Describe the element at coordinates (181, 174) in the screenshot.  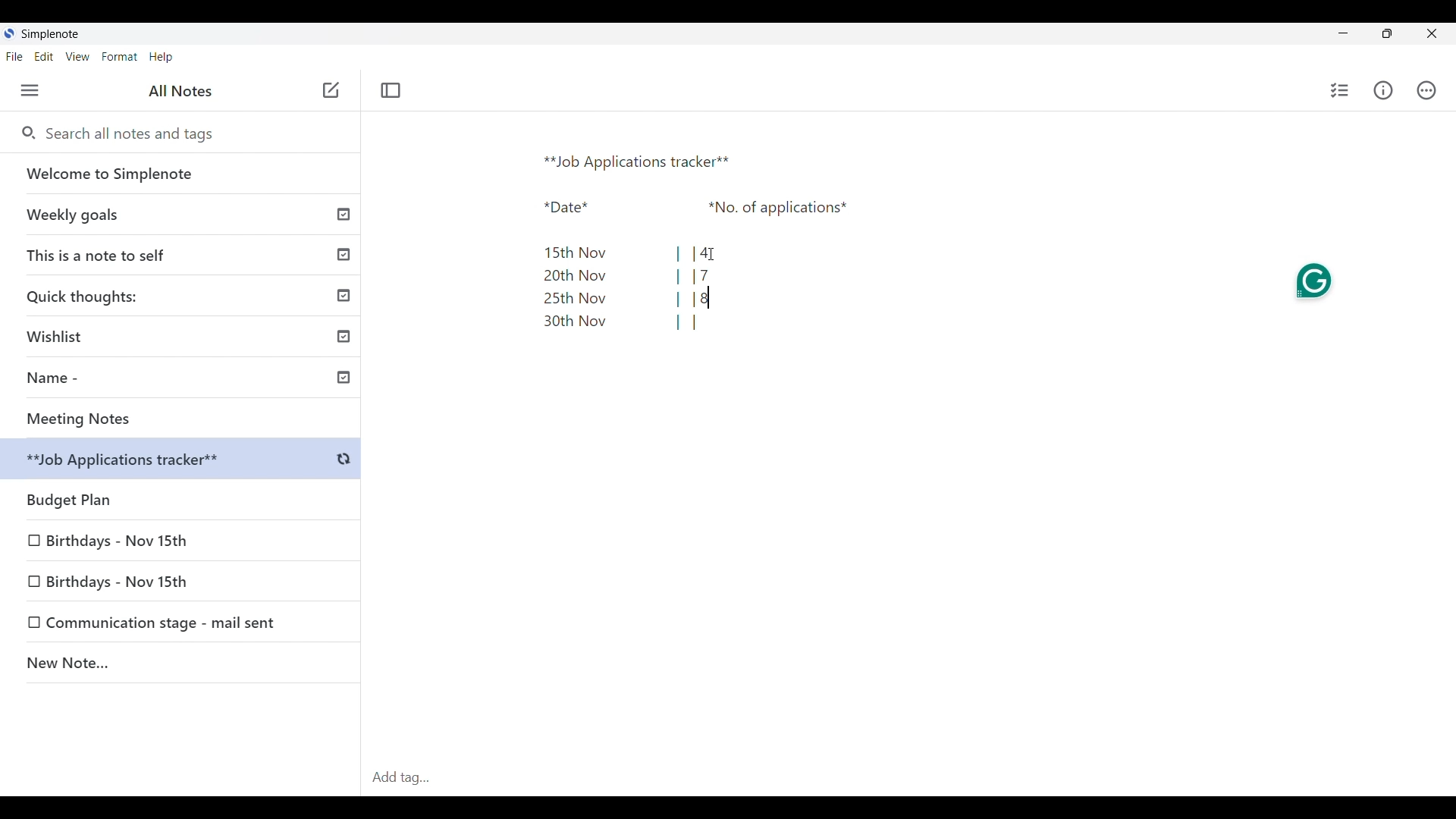
I see `Welcome to Simplenote` at that location.